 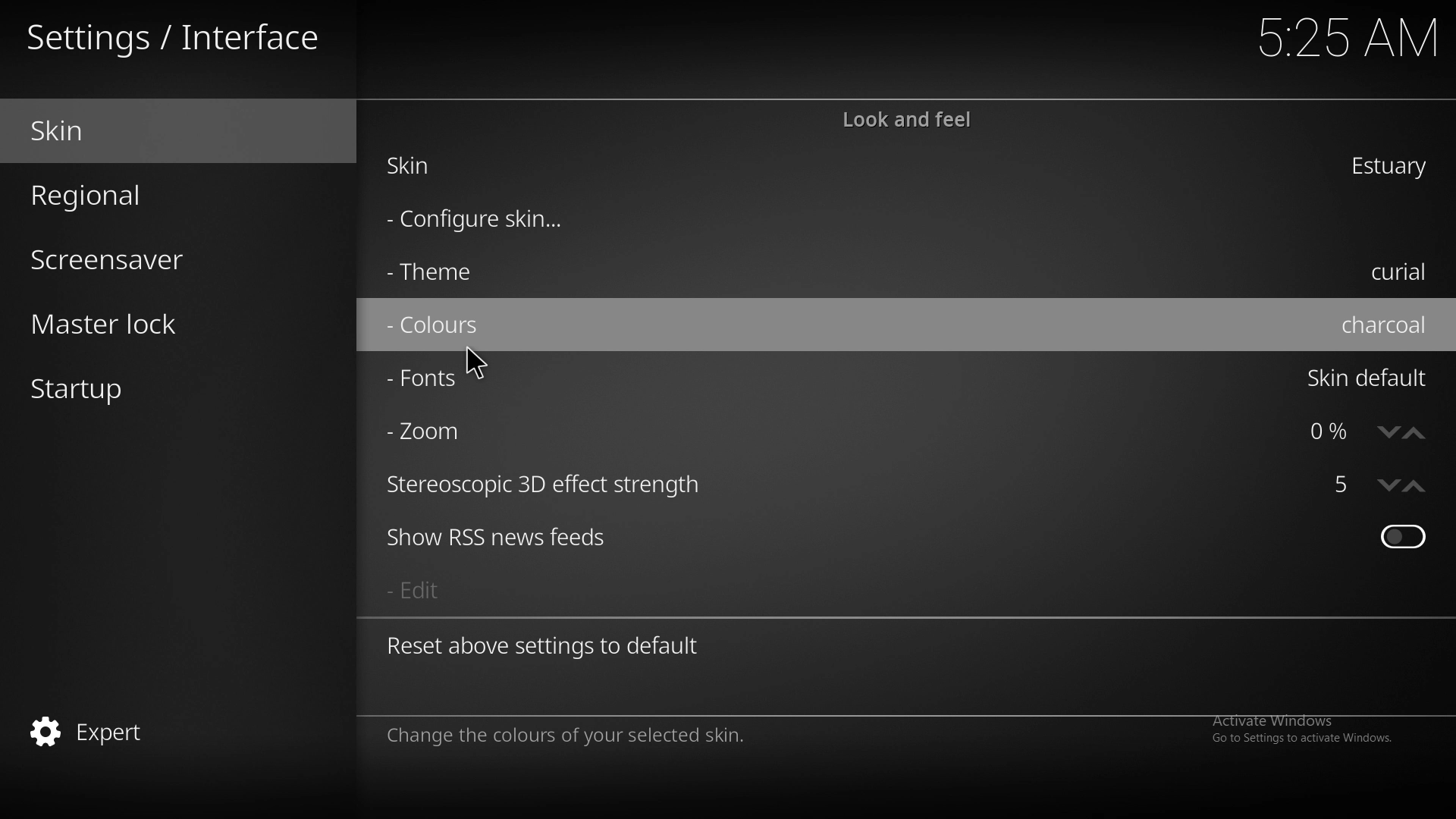 I want to click on increase zoom, so click(x=1415, y=431).